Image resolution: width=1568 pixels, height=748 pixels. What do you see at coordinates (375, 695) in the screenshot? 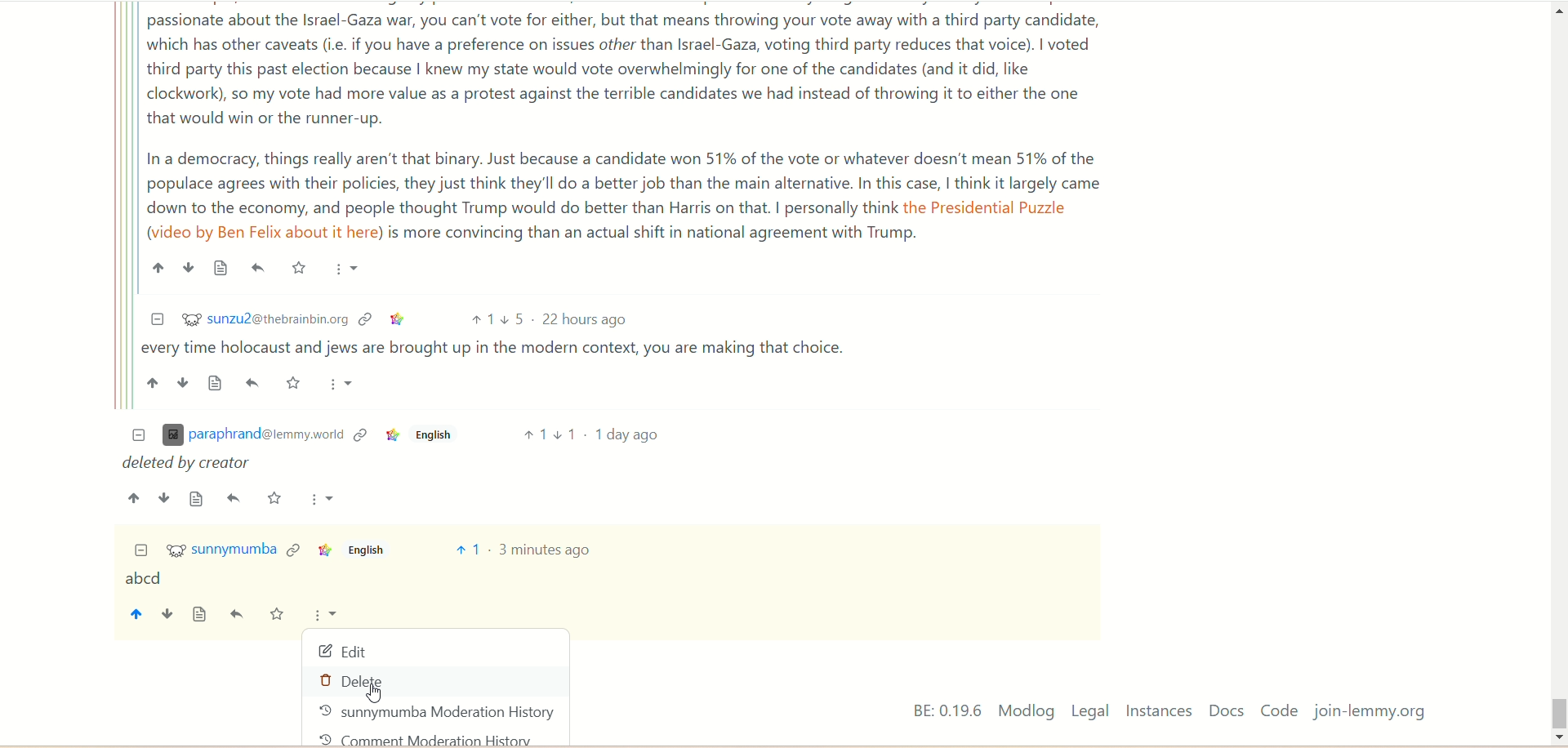
I see `Cursor` at bounding box center [375, 695].